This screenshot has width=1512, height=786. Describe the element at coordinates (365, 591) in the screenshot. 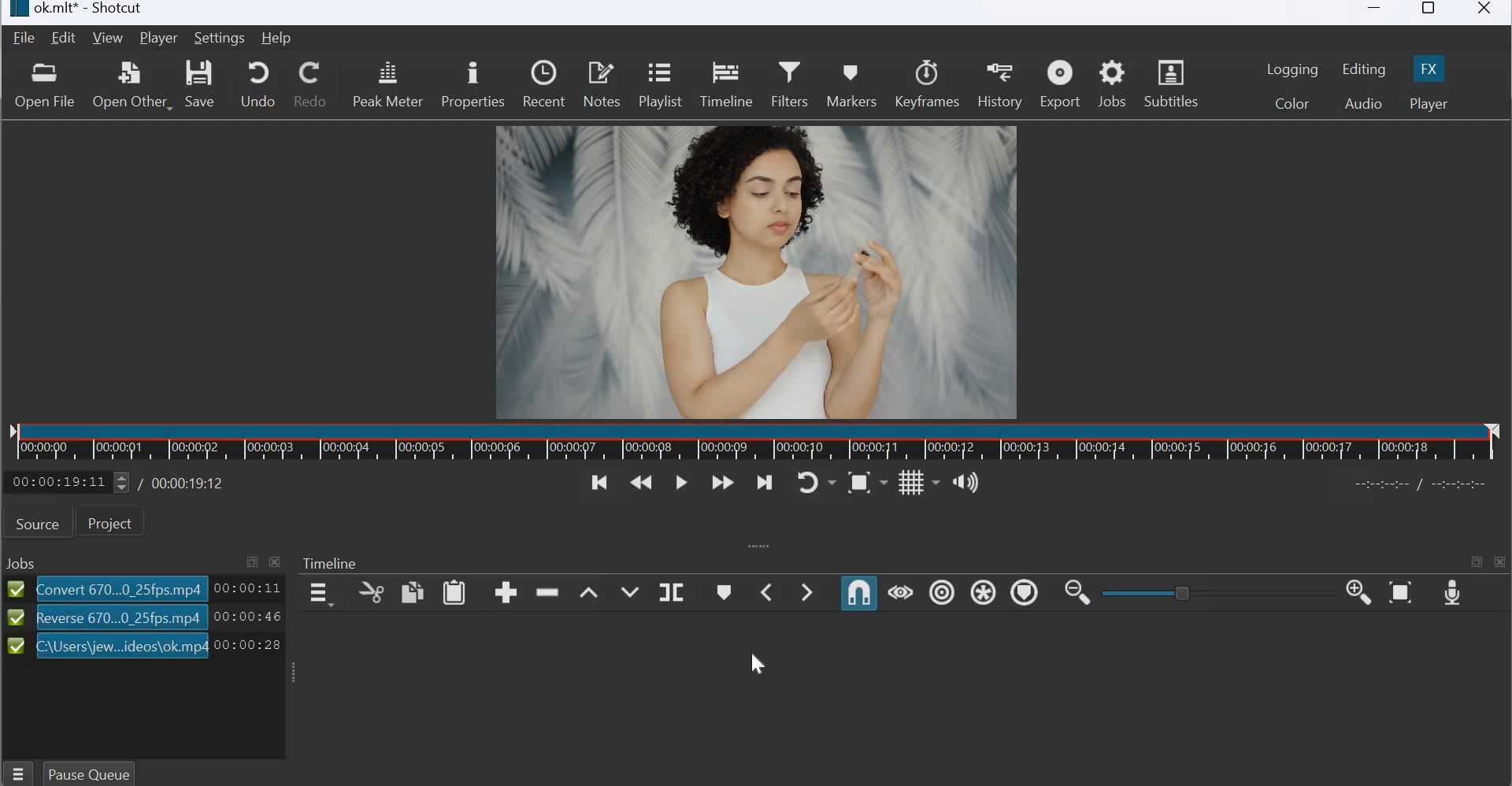

I see `copy` at that location.